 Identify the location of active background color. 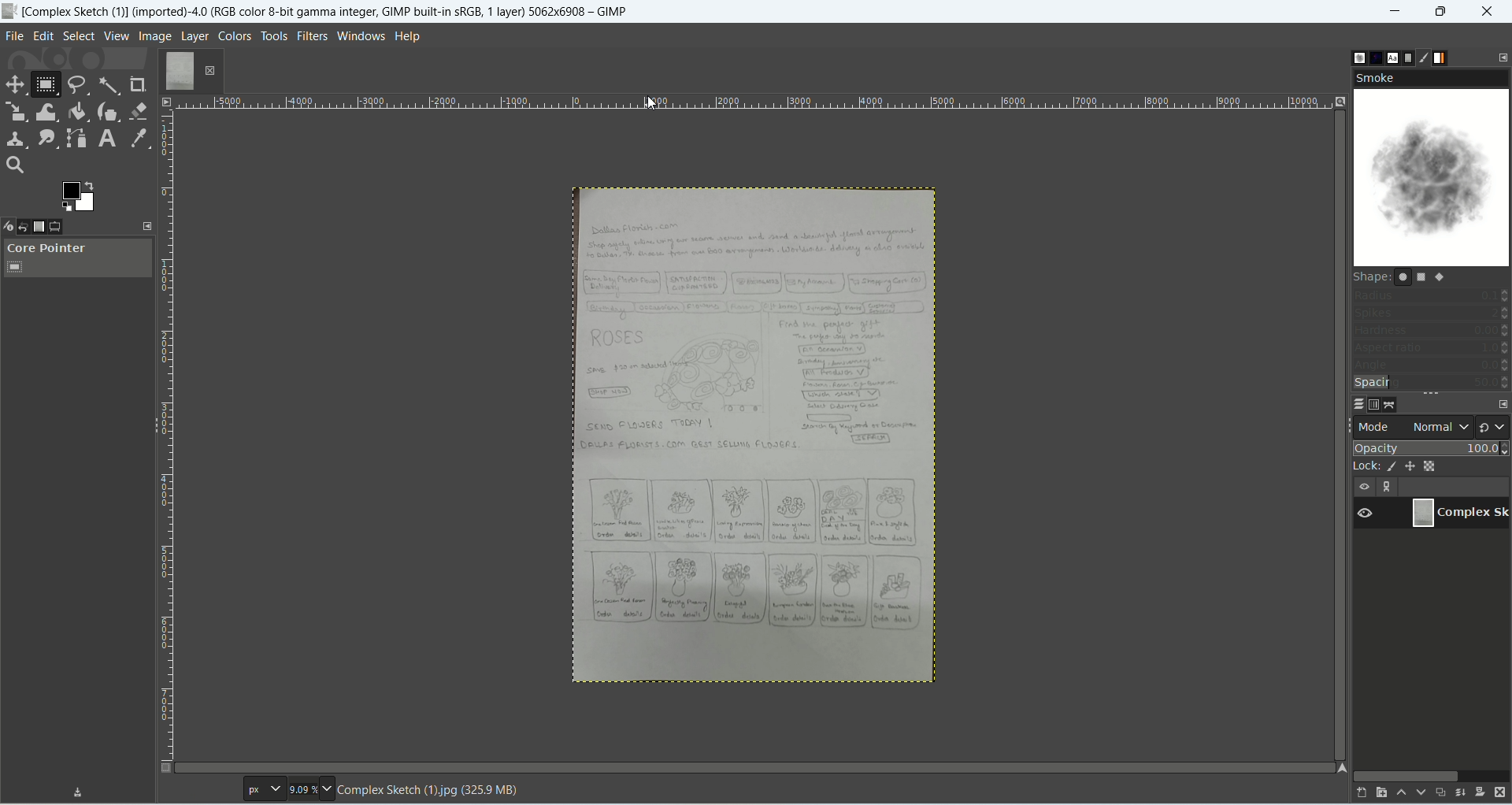
(76, 196).